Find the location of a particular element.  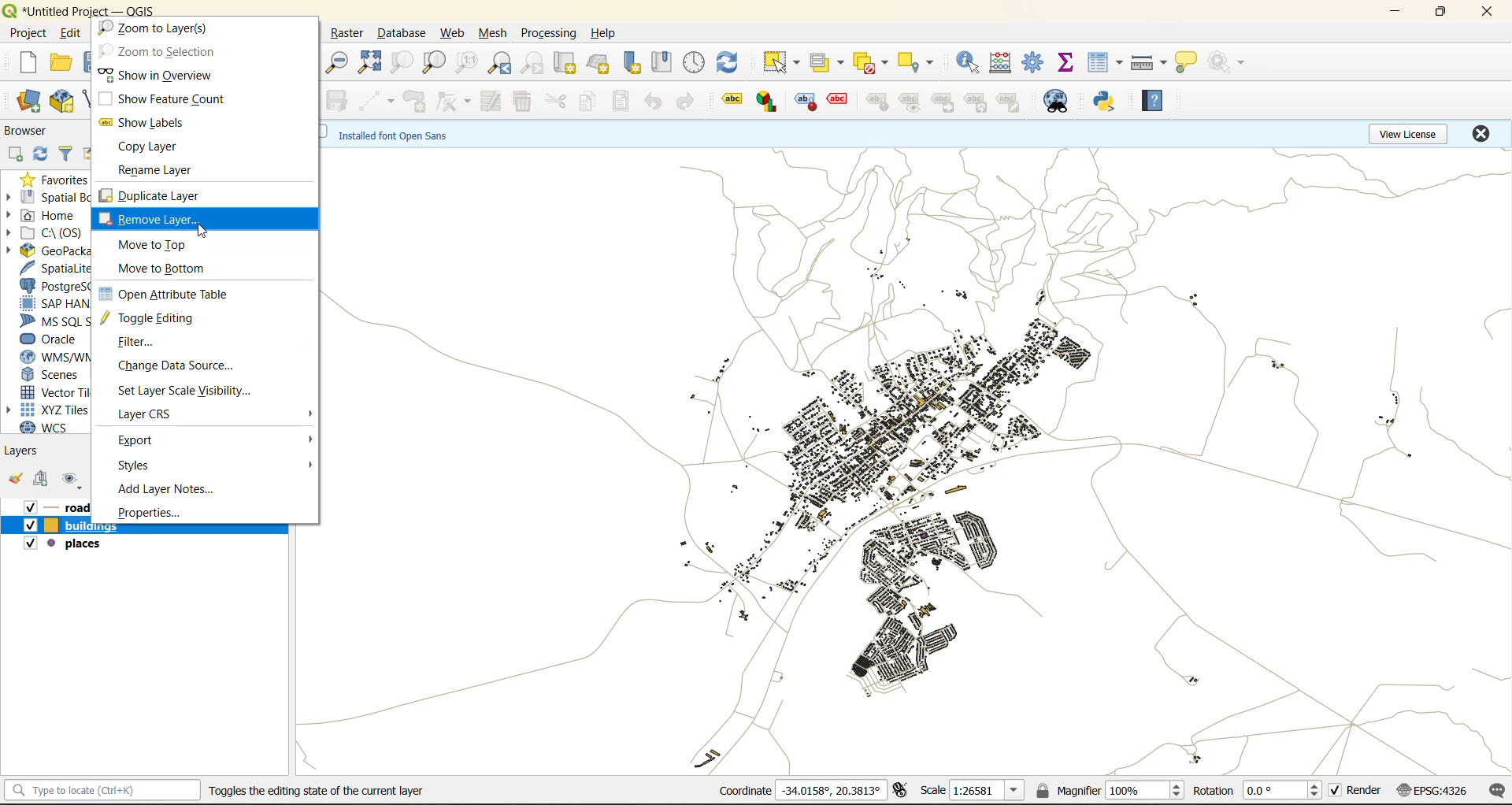

maximize is located at coordinates (1440, 14).